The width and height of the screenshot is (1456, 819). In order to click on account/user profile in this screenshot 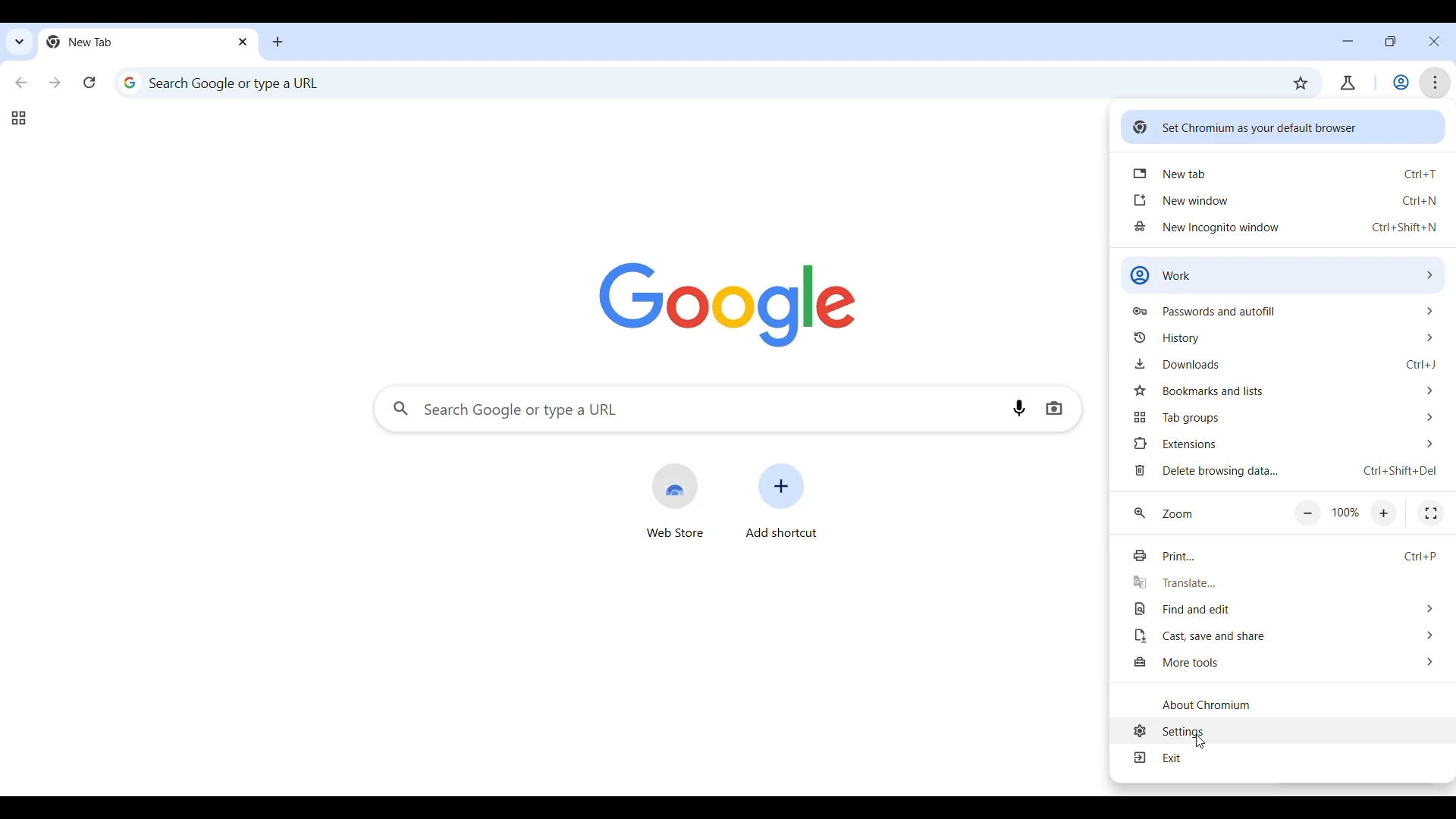, I will do `click(1347, 83)`.